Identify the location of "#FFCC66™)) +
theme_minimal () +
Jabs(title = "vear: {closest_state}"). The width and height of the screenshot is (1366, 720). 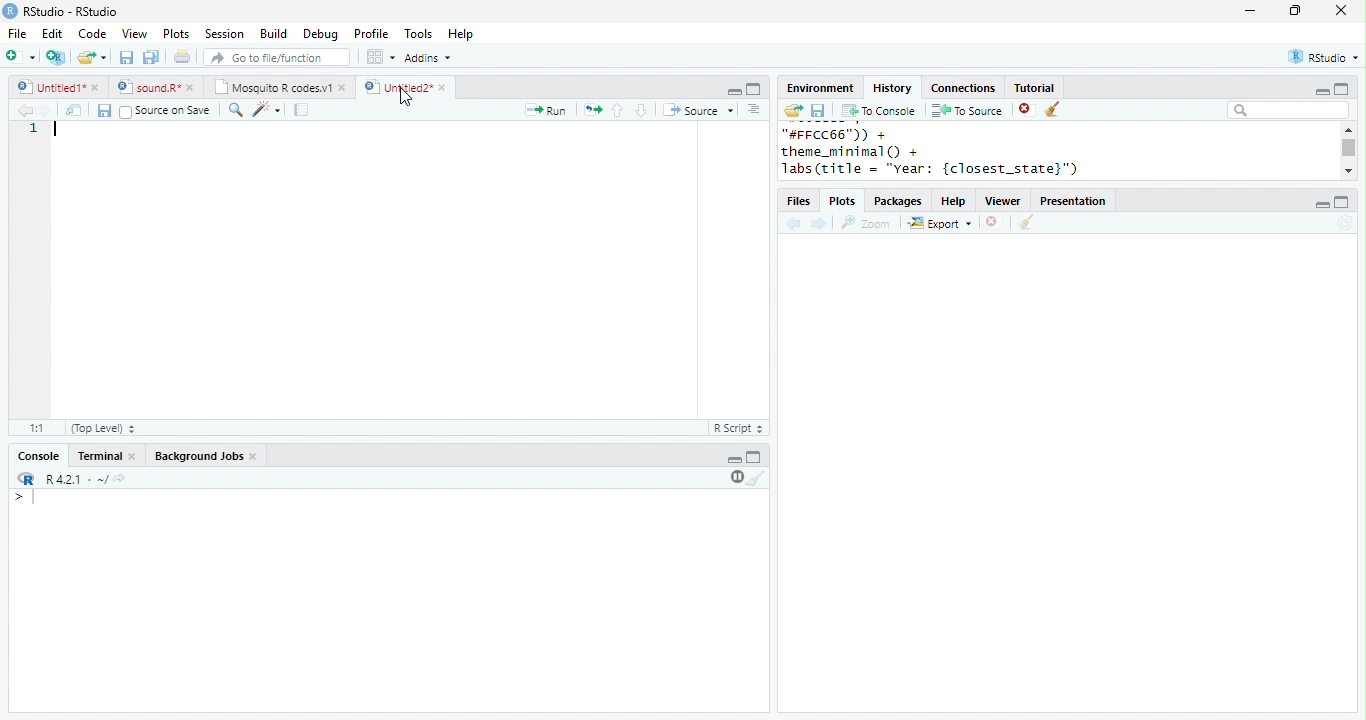
(948, 152).